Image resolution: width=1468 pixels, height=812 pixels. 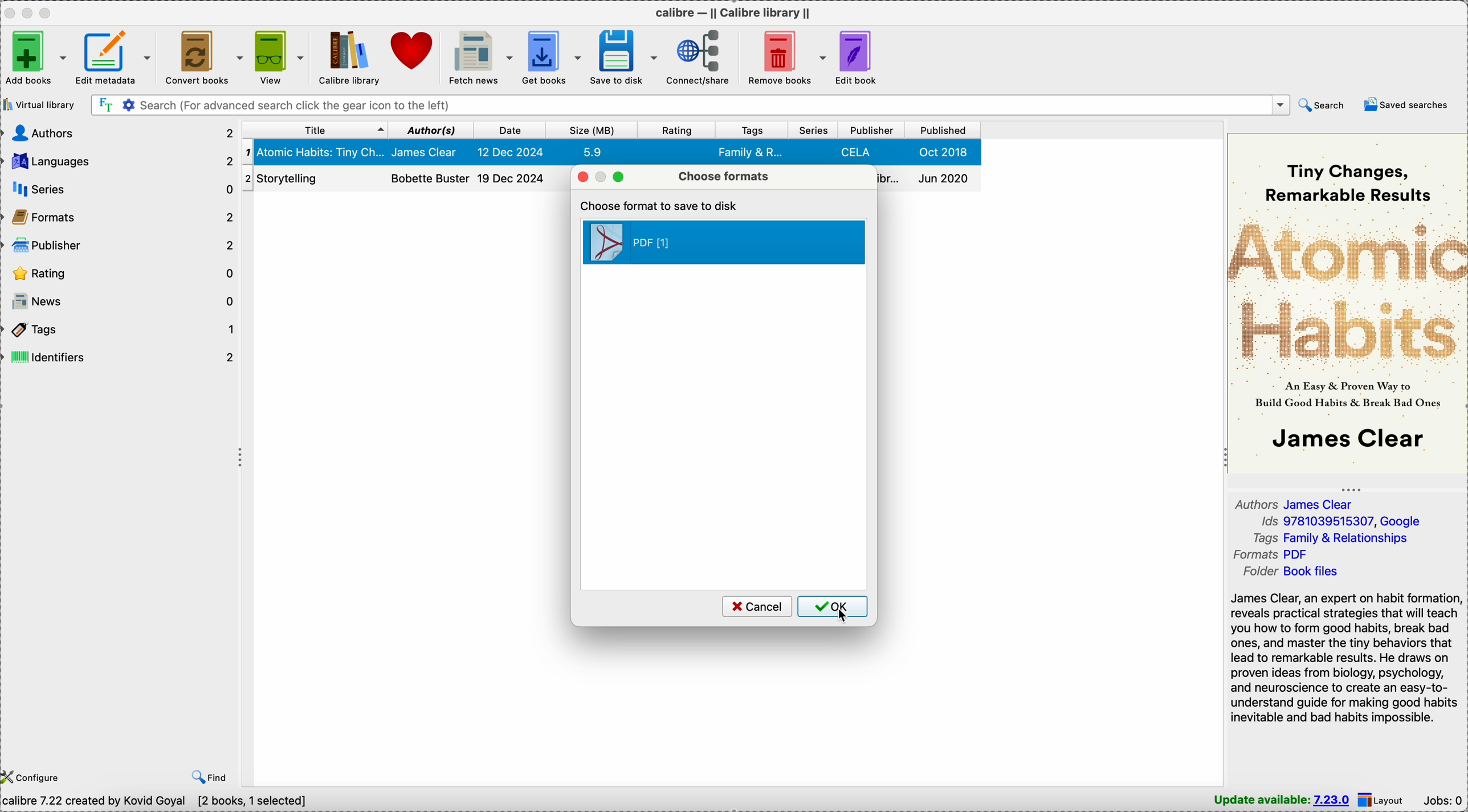 What do you see at coordinates (589, 130) in the screenshot?
I see `size` at bounding box center [589, 130].